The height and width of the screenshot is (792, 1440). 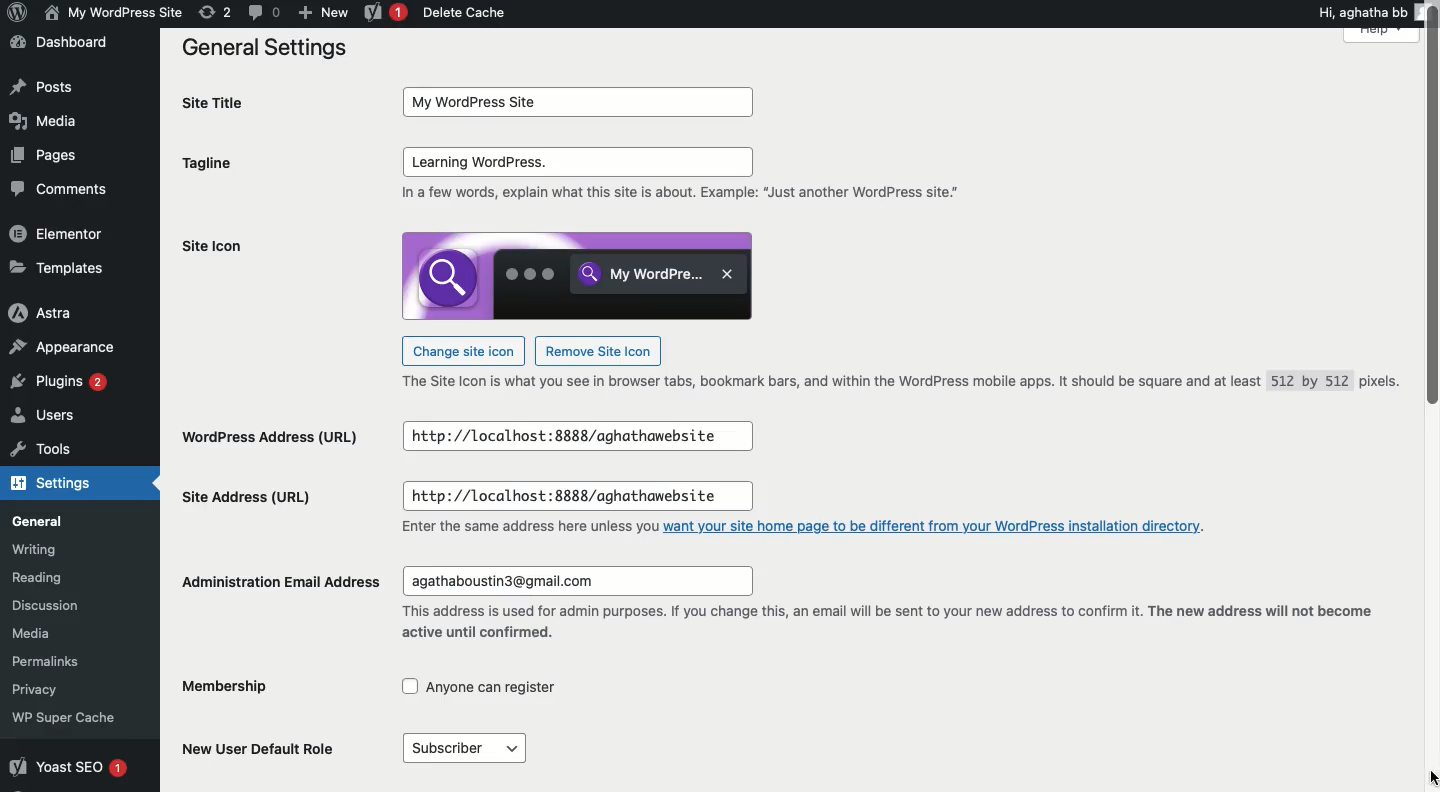 What do you see at coordinates (51, 122) in the screenshot?
I see `Media` at bounding box center [51, 122].